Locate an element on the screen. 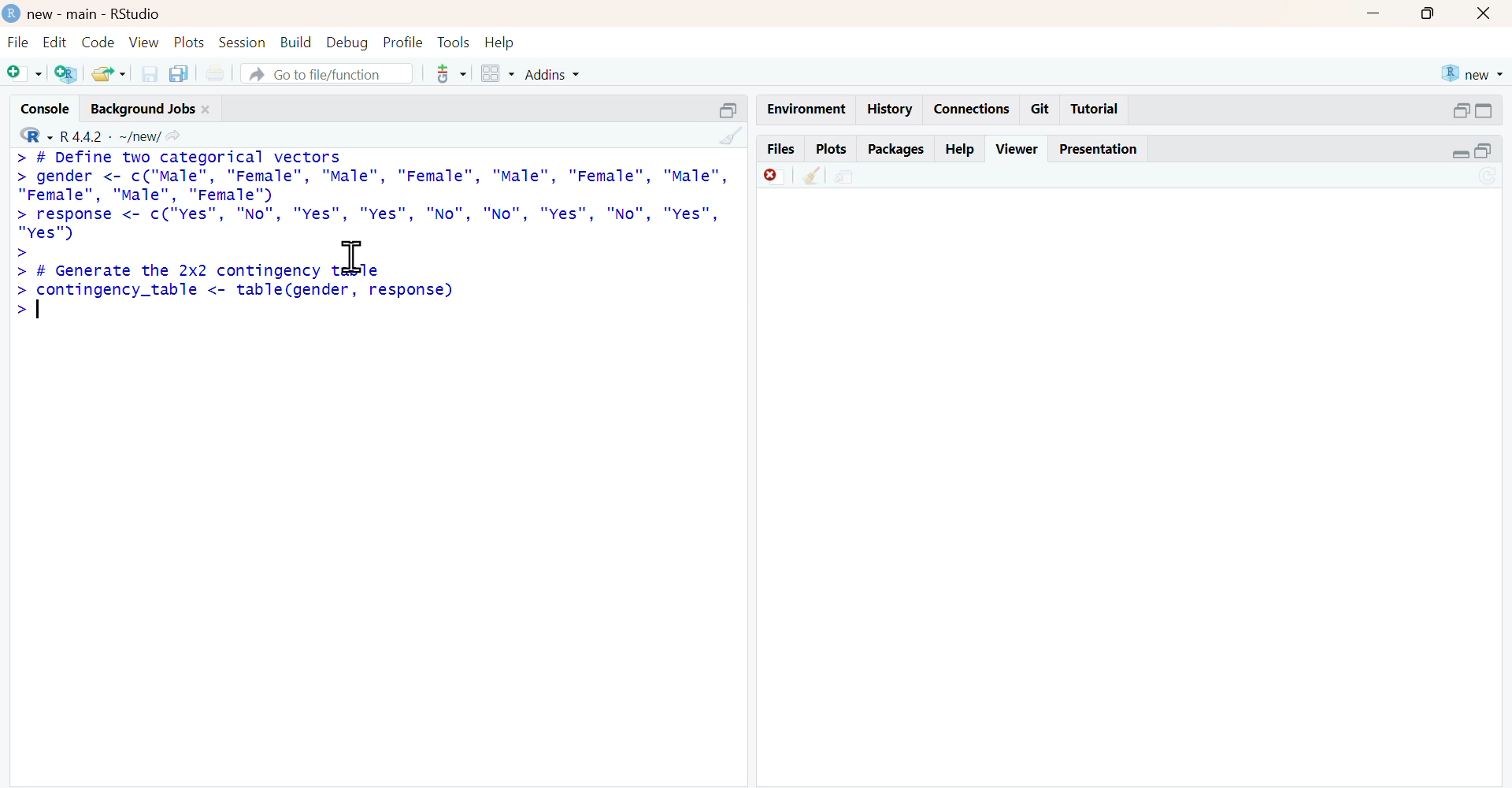  addins is located at coordinates (552, 75).